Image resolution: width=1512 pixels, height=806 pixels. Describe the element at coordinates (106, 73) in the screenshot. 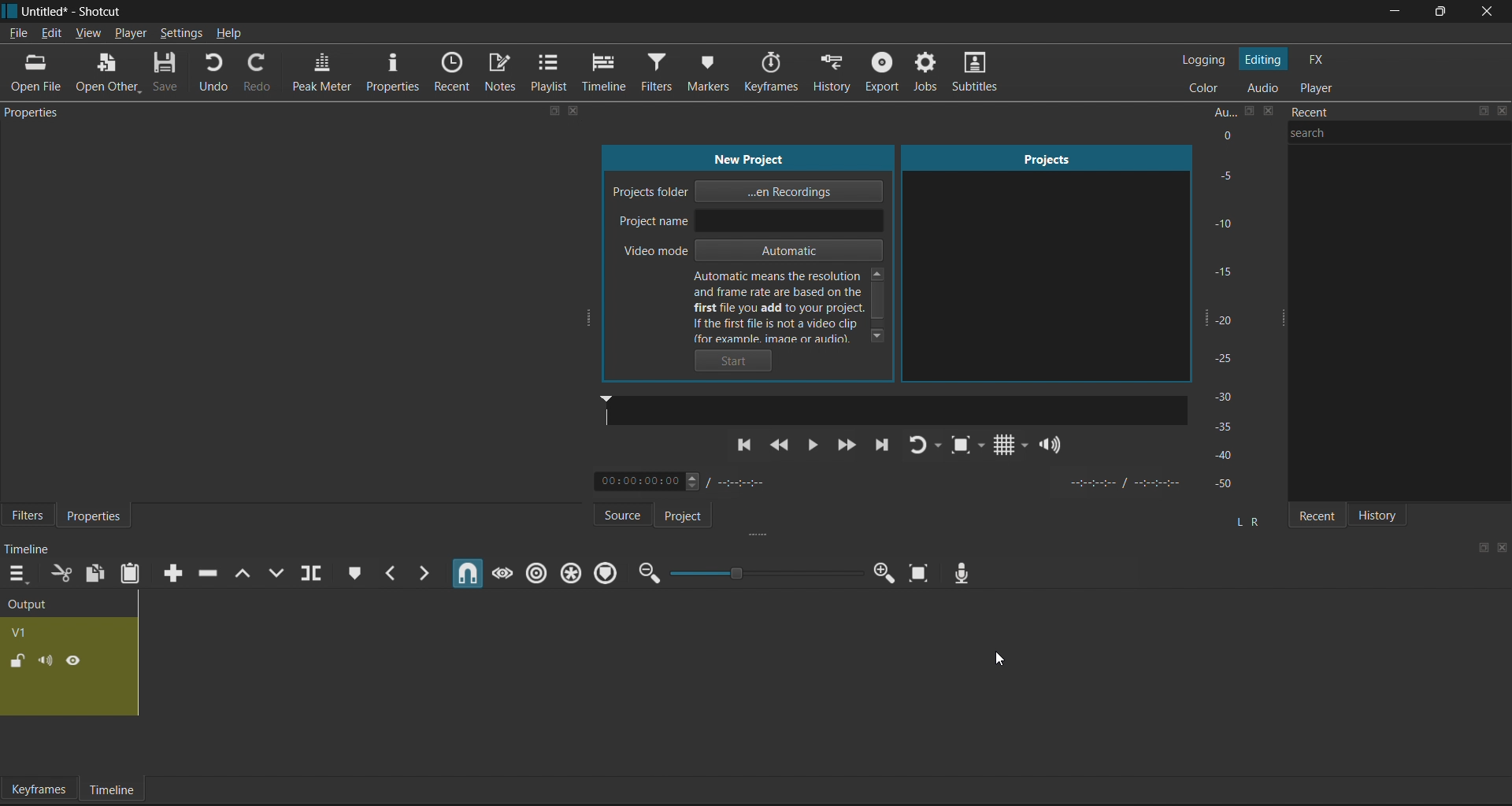

I see `Open Others` at that location.